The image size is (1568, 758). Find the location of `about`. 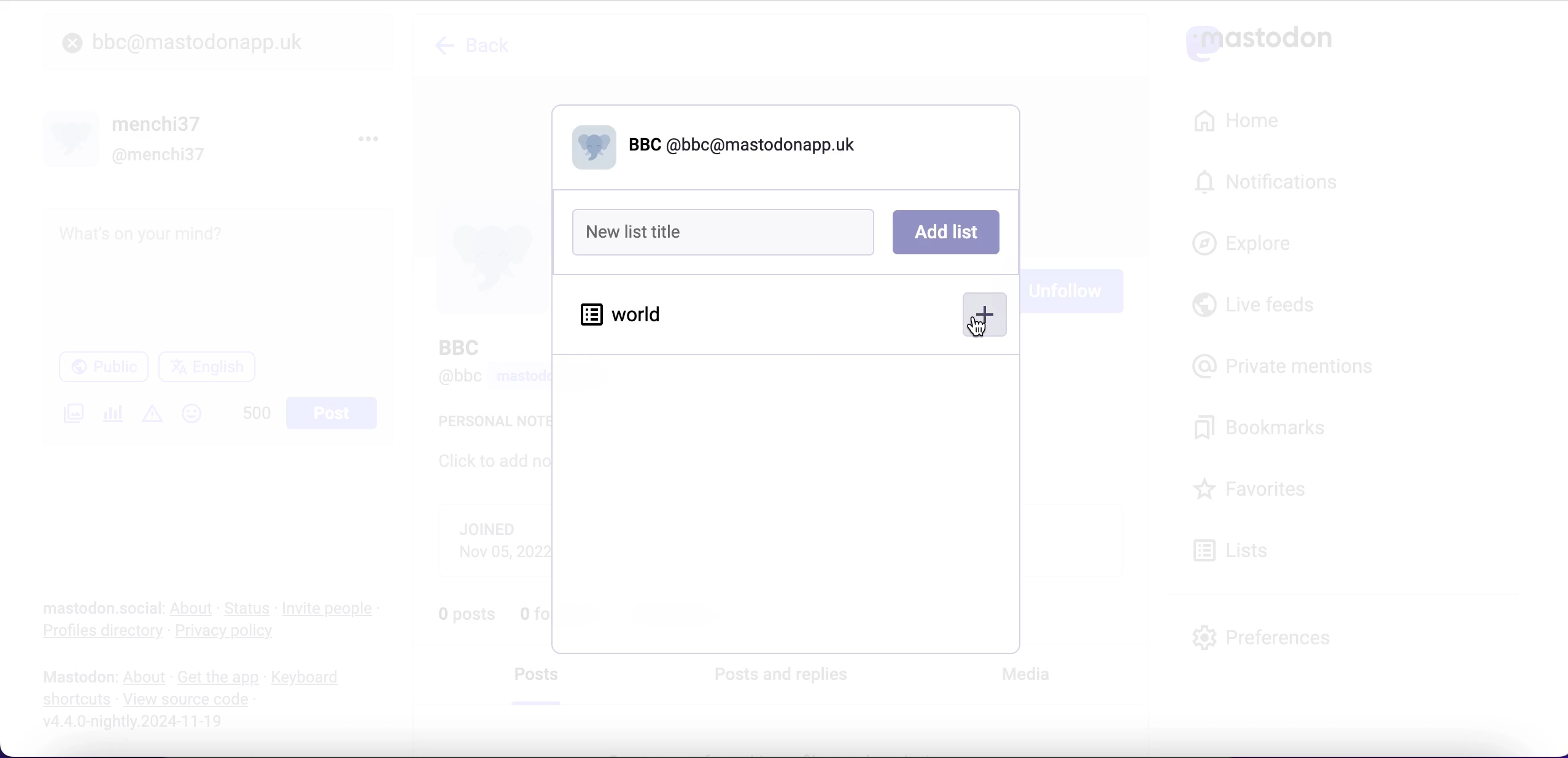

about is located at coordinates (147, 678).